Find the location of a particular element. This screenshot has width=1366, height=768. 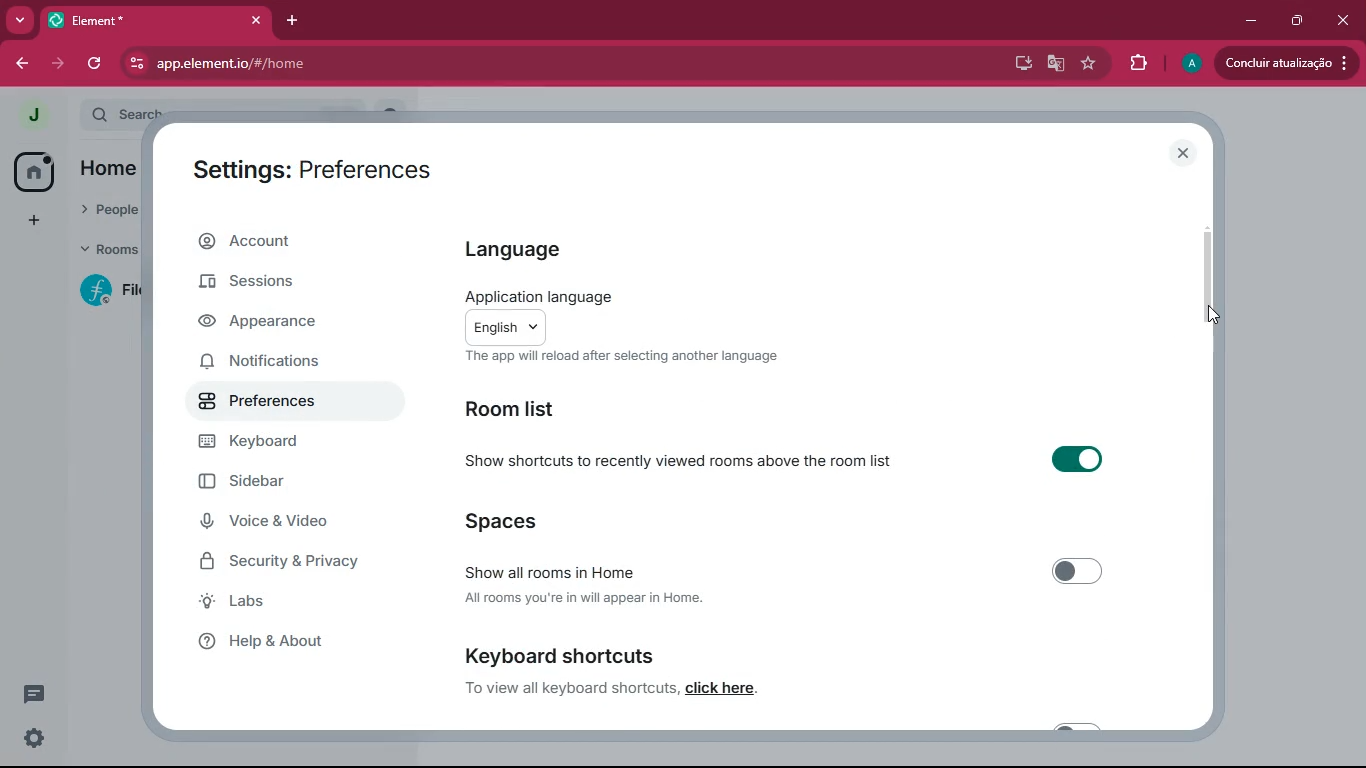

extensions is located at coordinates (1140, 63).